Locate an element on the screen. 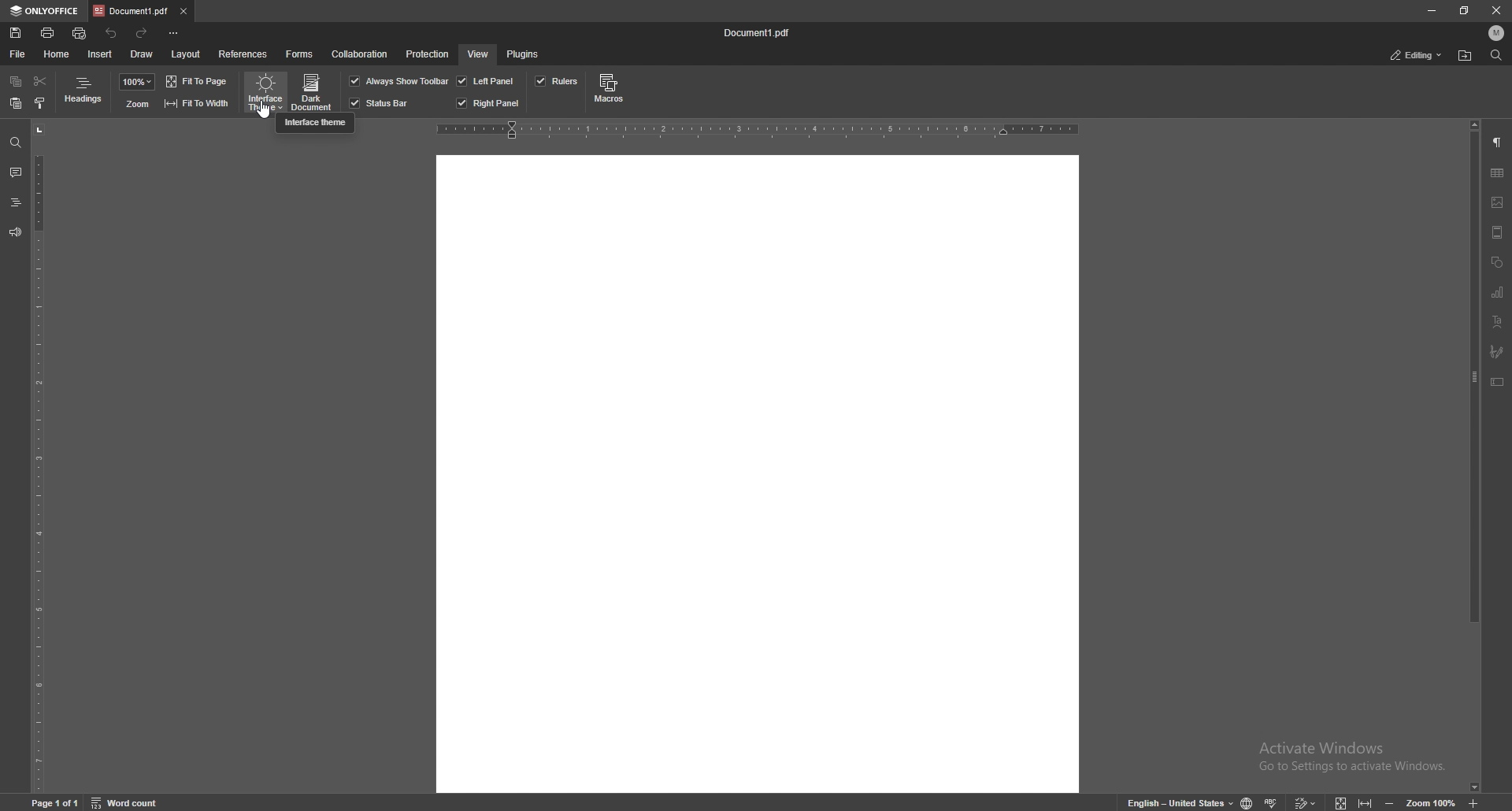 This screenshot has height=811, width=1512. paragraph is located at coordinates (1498, 144).